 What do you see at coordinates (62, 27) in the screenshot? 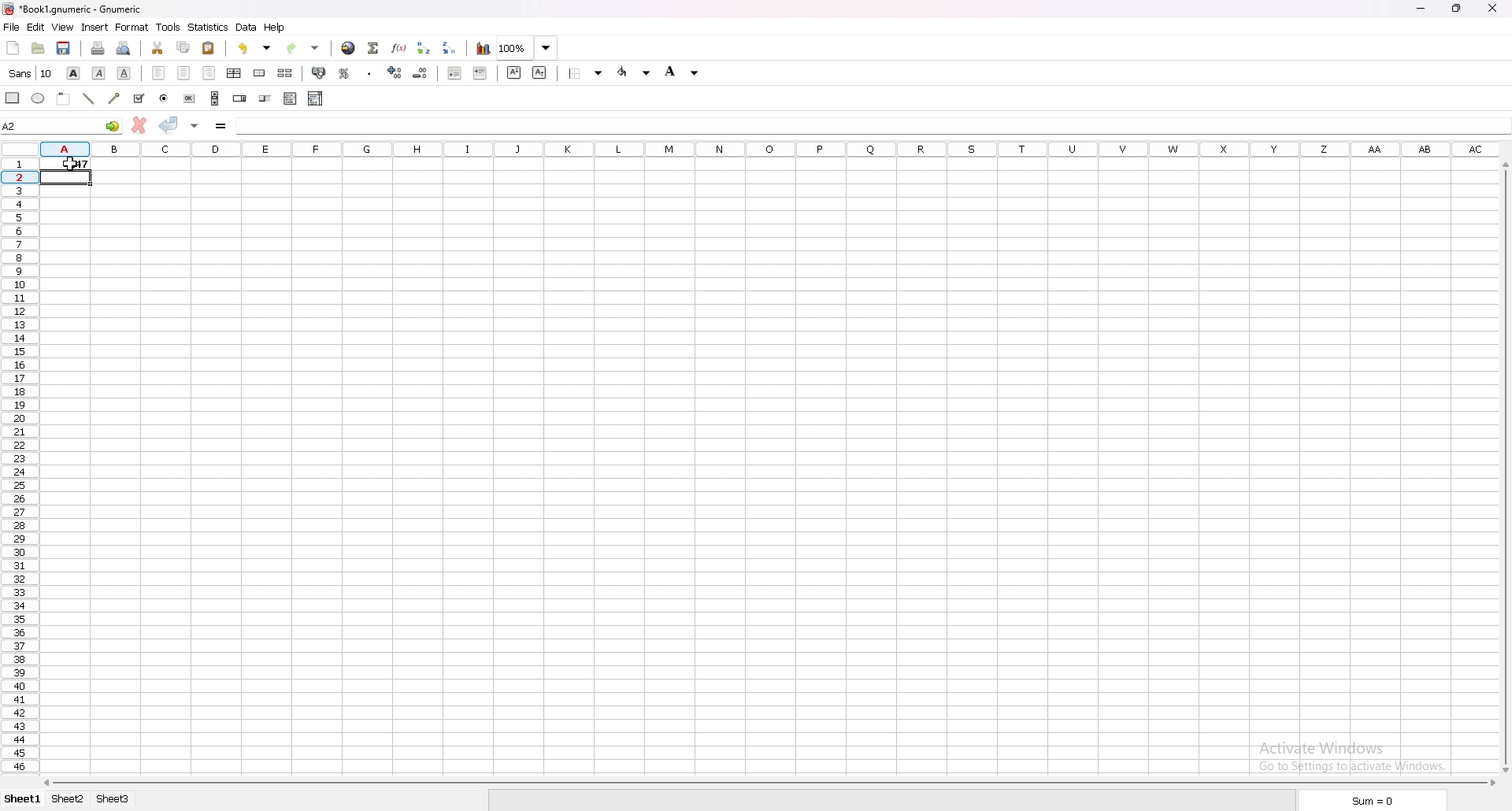
I see `view` at bounding box center [62, 27].